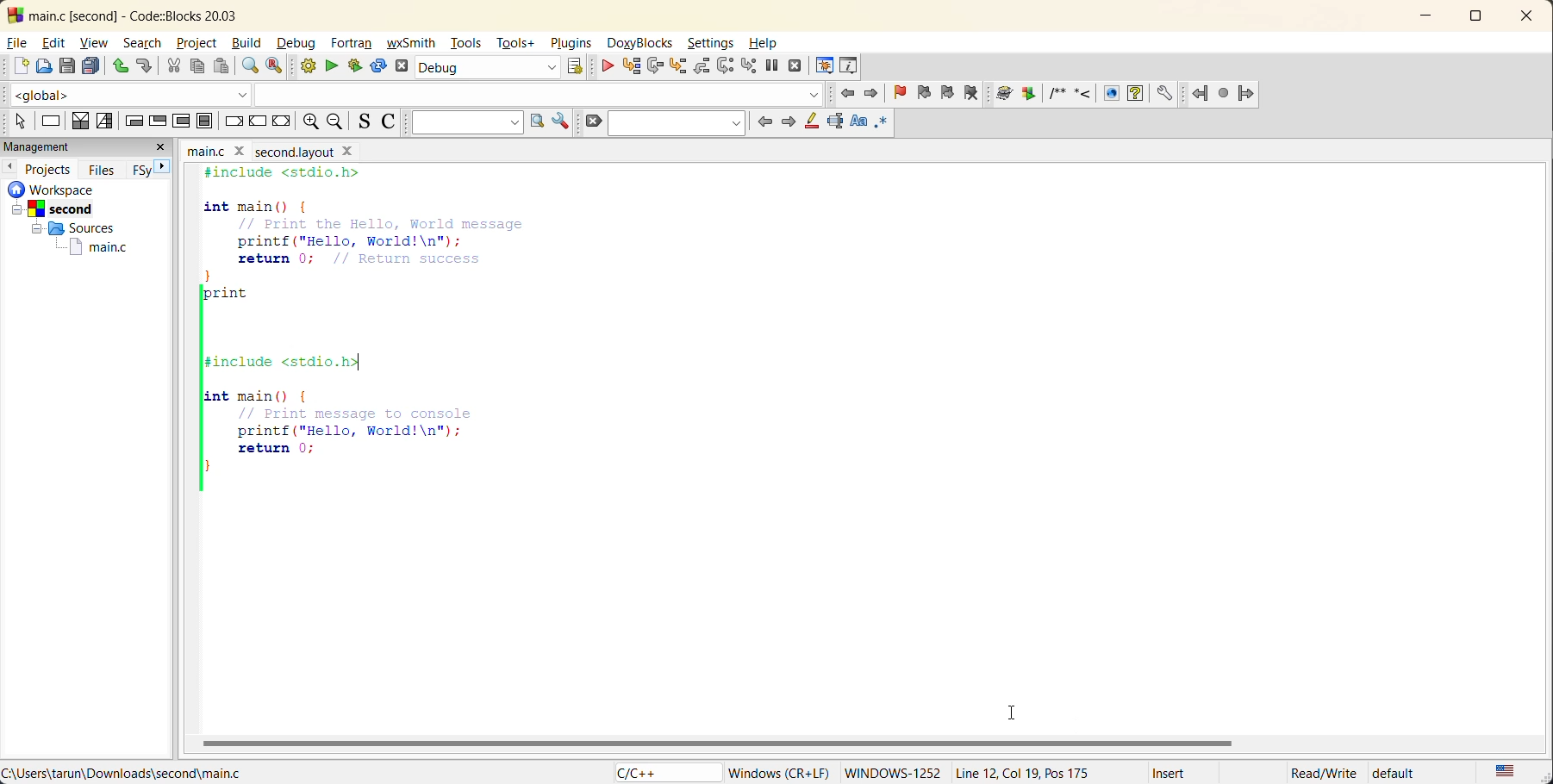 This screenshot has height=784, width=1553. Describe the element at coordinates (950, 90) in the screenshot. I see `next bookmark` at that location.